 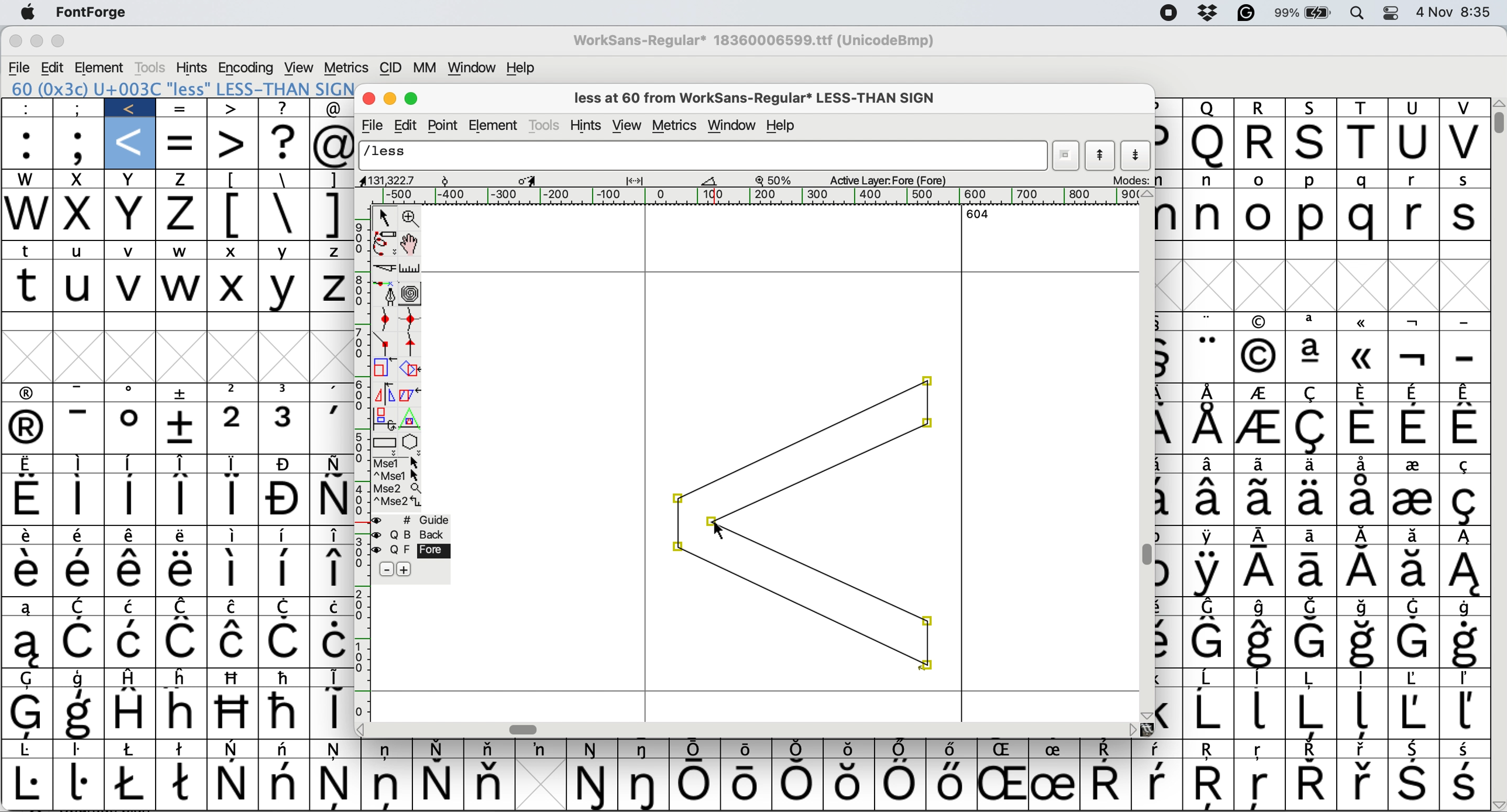 What do you see at coordinates (29, 285) in the screenshot?
I see `t` at bounding box center [29, 285].